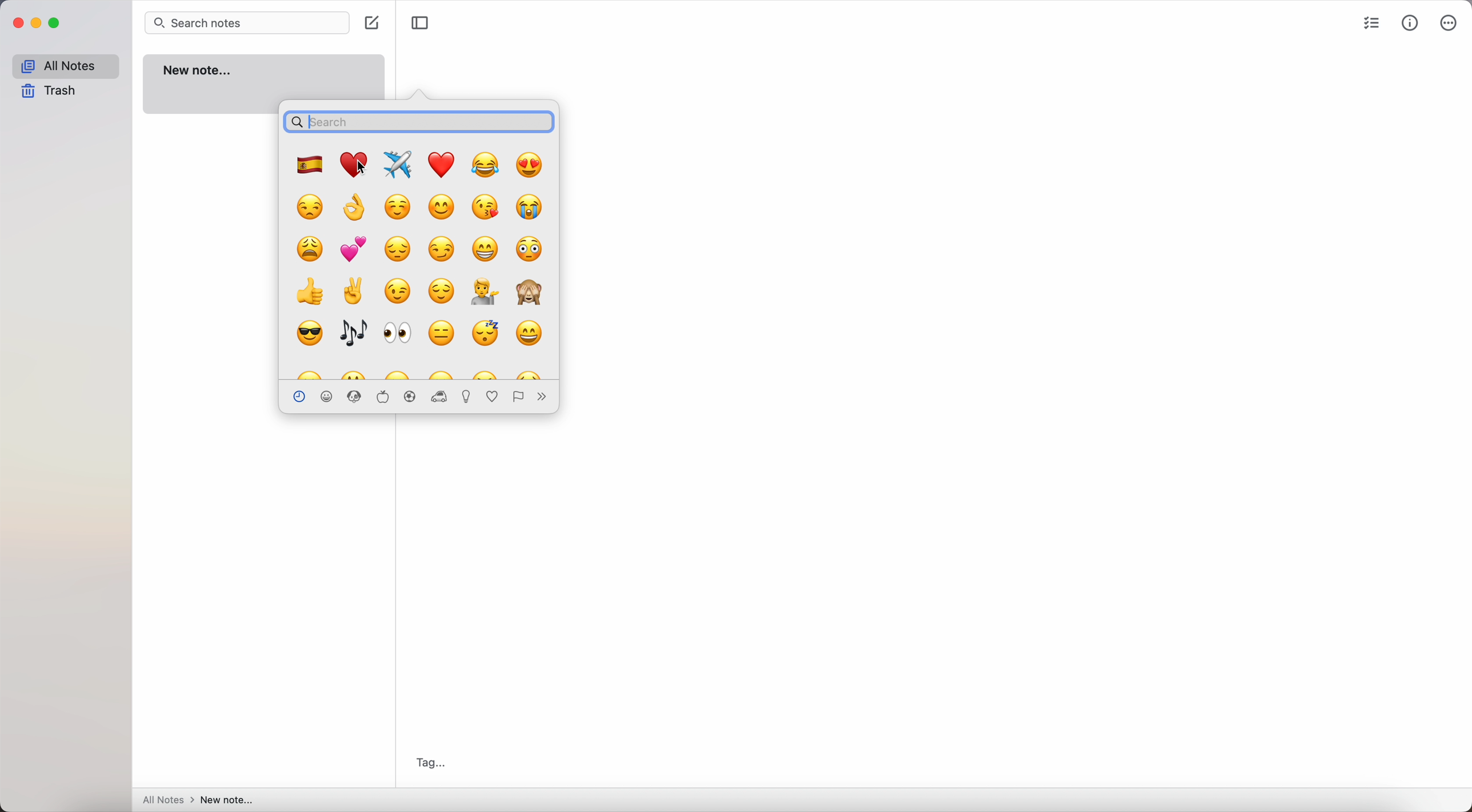 The image size is (1472, 812). Describe the element at coordinates (56, 23) in the screenshot. I see `maximize Simplenote` at that location.